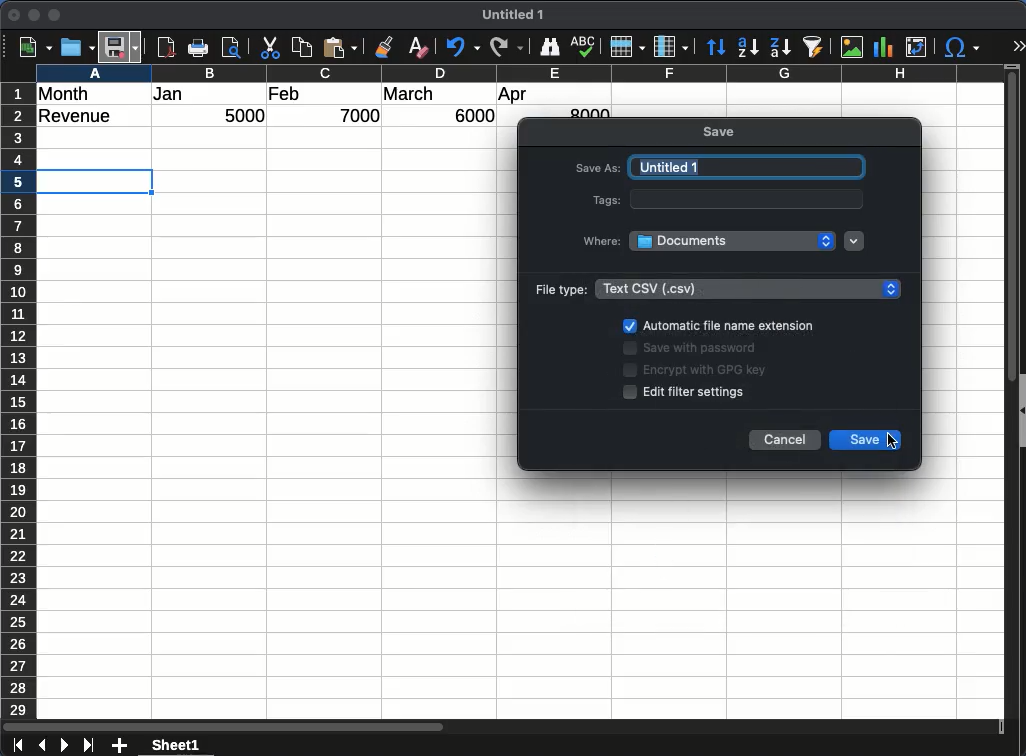 The height and width of the screenshot is (756, 1026). I want to click on Untitled 1, so click(517, 15).